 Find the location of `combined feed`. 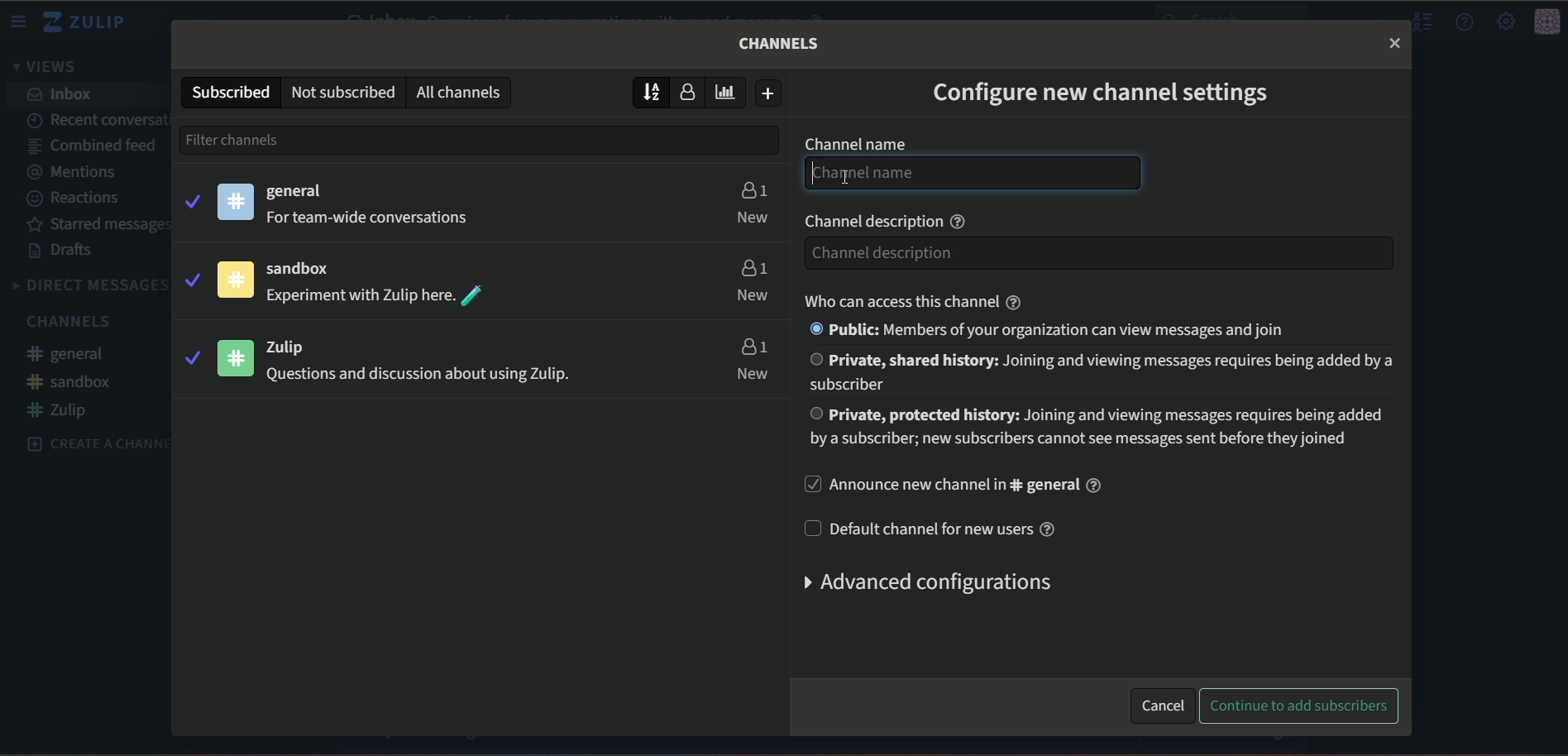

combined feed is located at coordinates (88, 145).